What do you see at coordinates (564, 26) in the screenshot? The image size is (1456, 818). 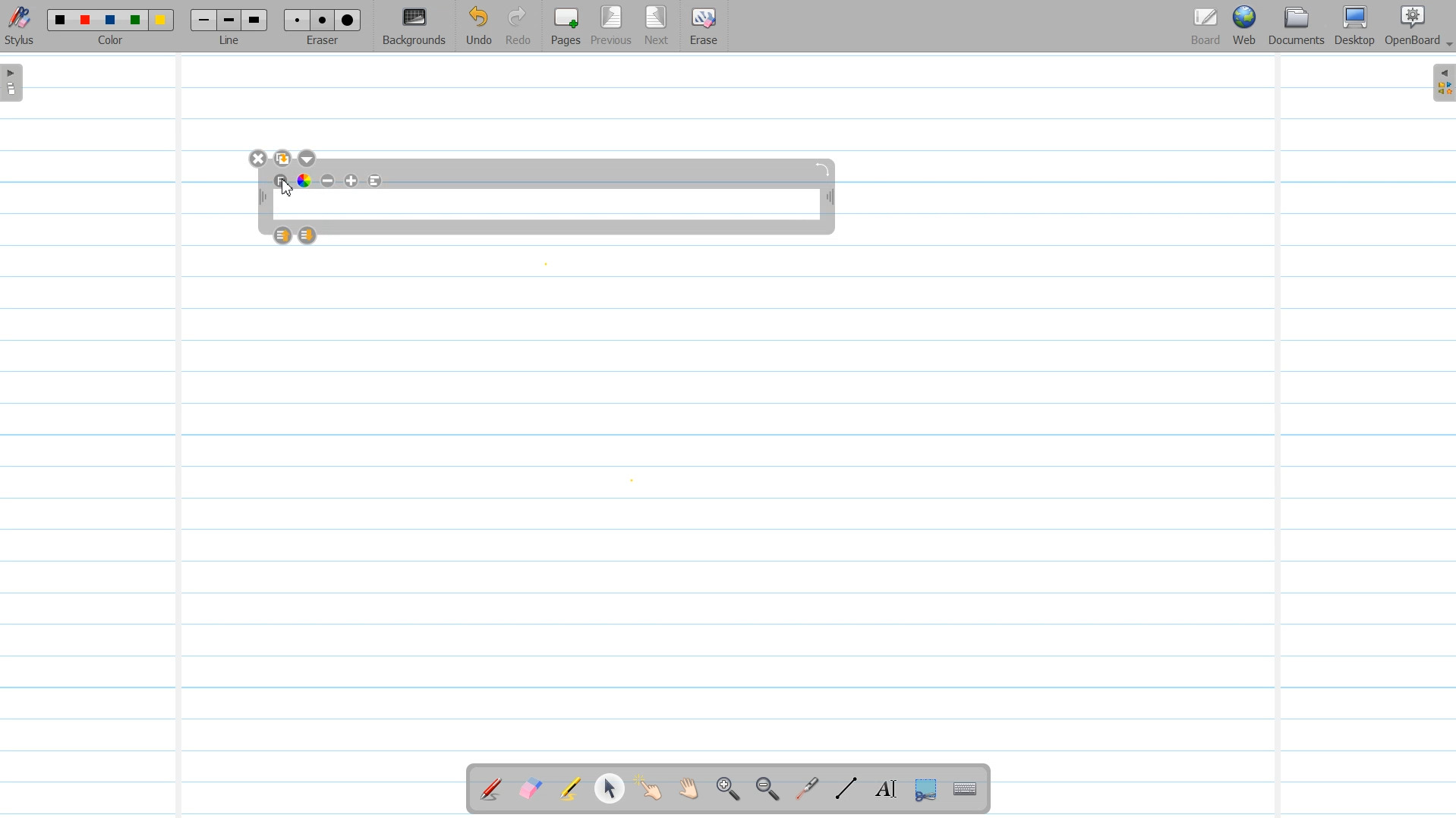 I see `Pages` at bounding box center [564, 26].